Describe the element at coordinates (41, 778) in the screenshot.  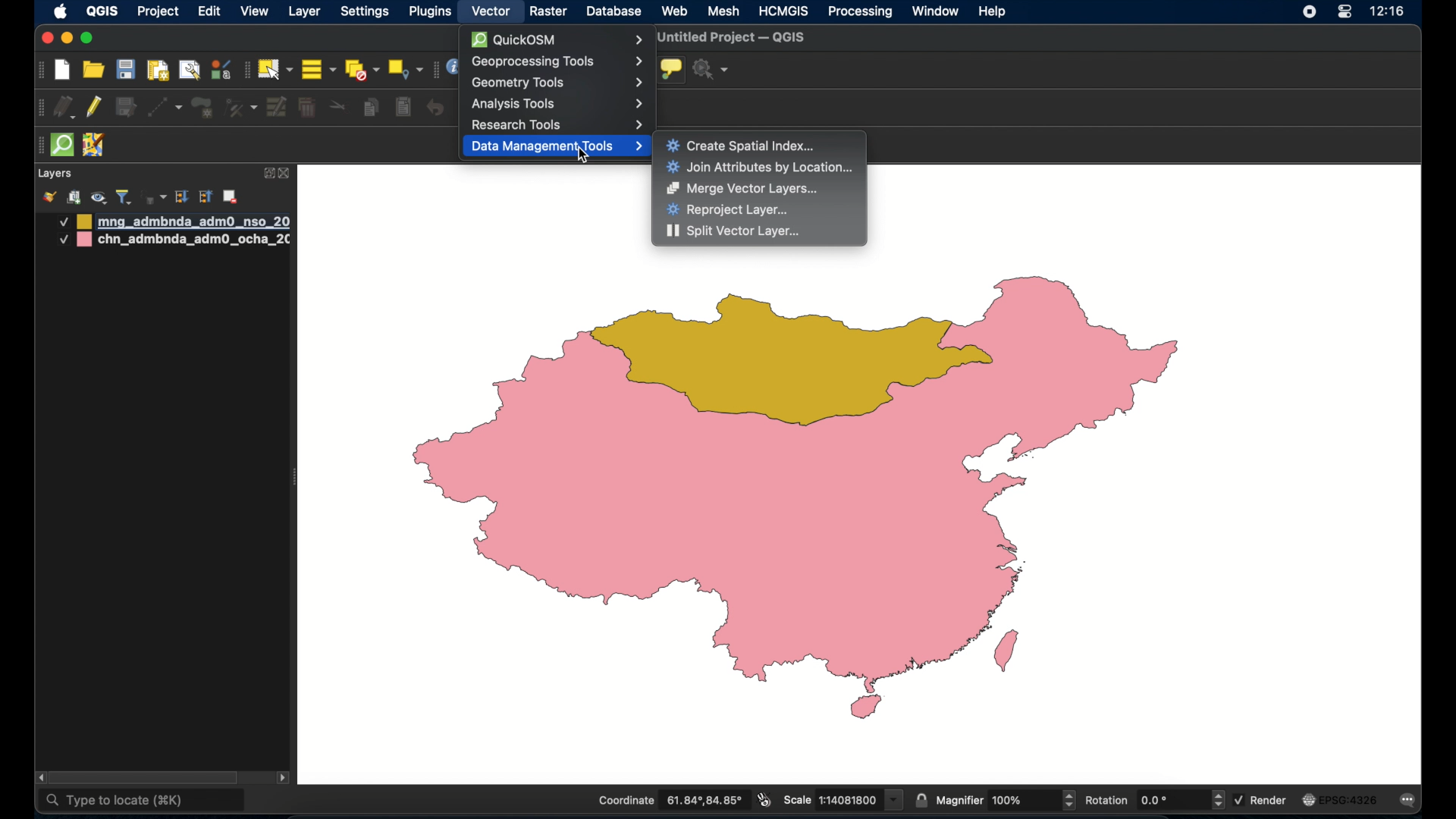
I see `scroll left` at that location.